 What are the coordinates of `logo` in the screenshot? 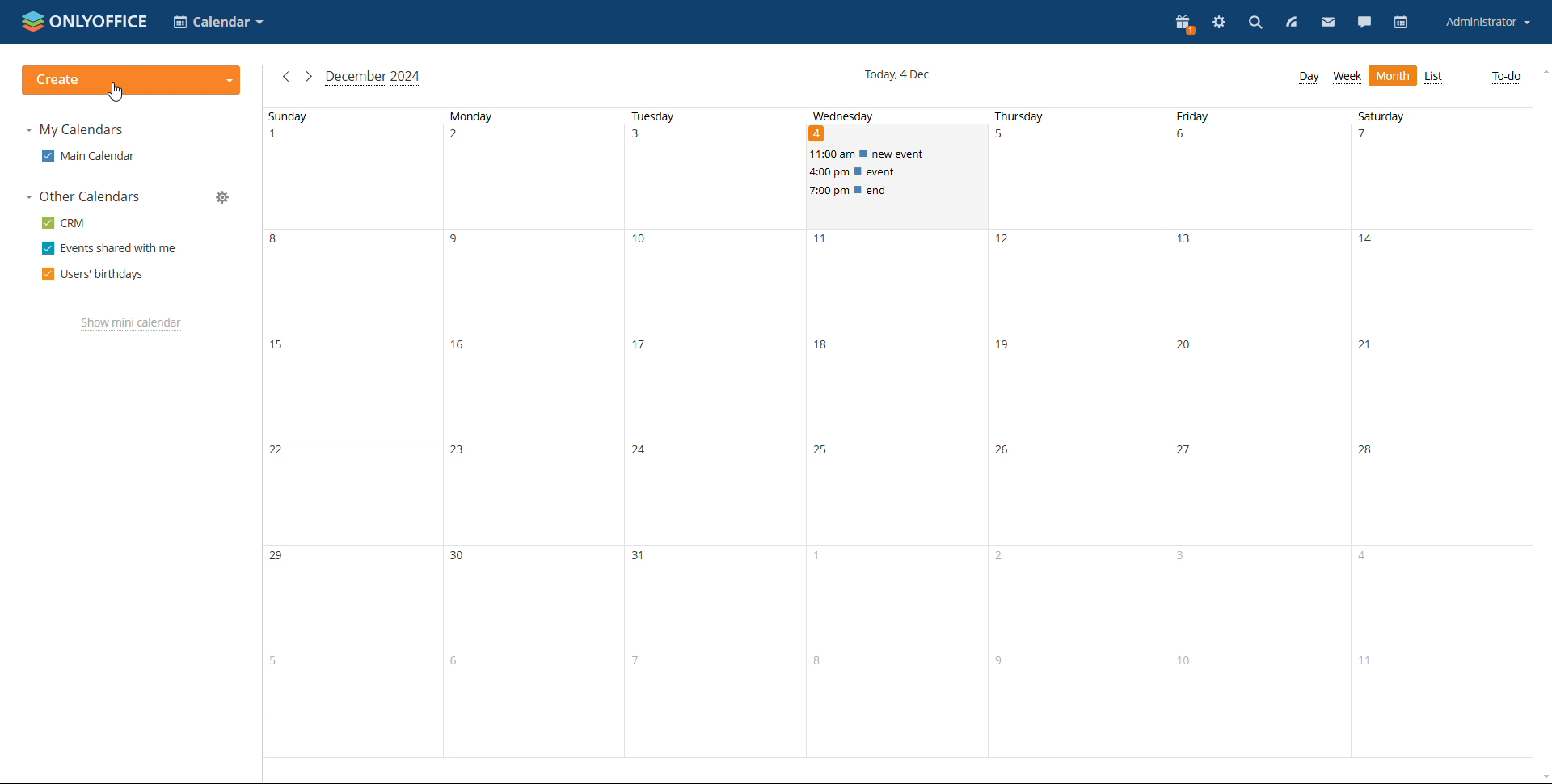 It's located at (82, 22).